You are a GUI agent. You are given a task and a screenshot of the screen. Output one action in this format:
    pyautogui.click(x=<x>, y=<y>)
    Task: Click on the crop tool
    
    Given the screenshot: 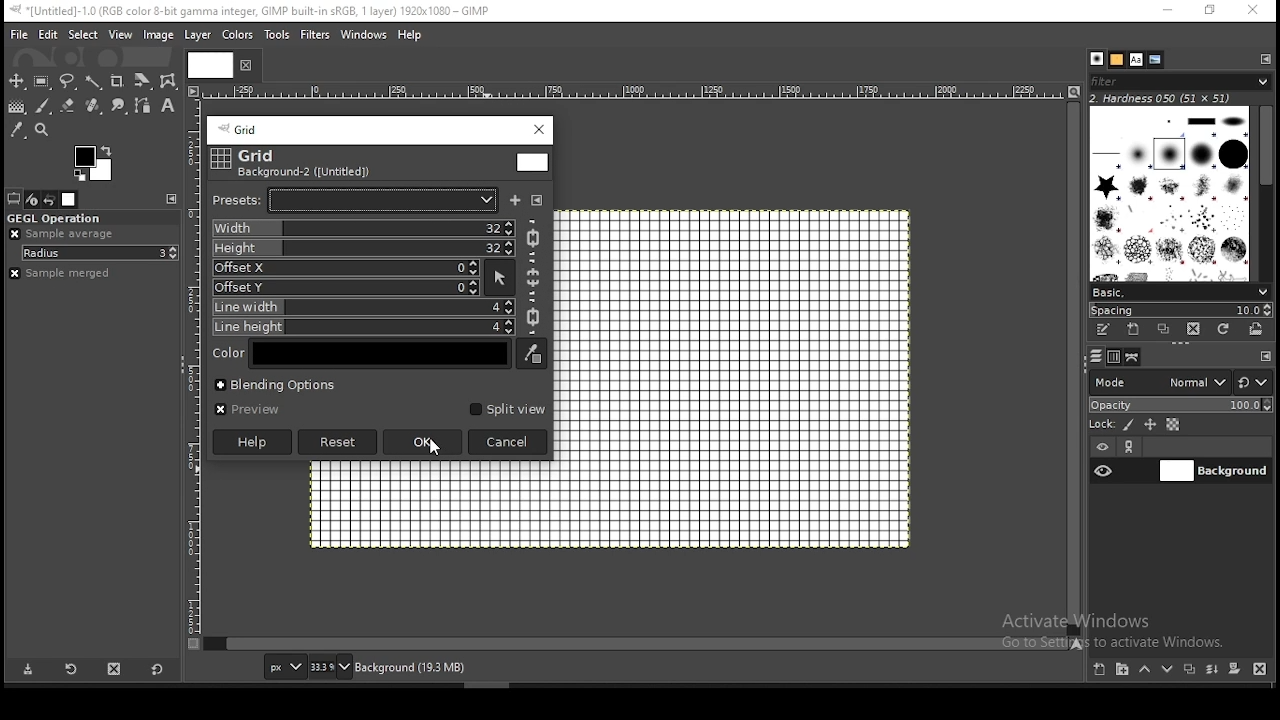 What is the action you would take?
    pyautogui.click(x=140, y=82)
    